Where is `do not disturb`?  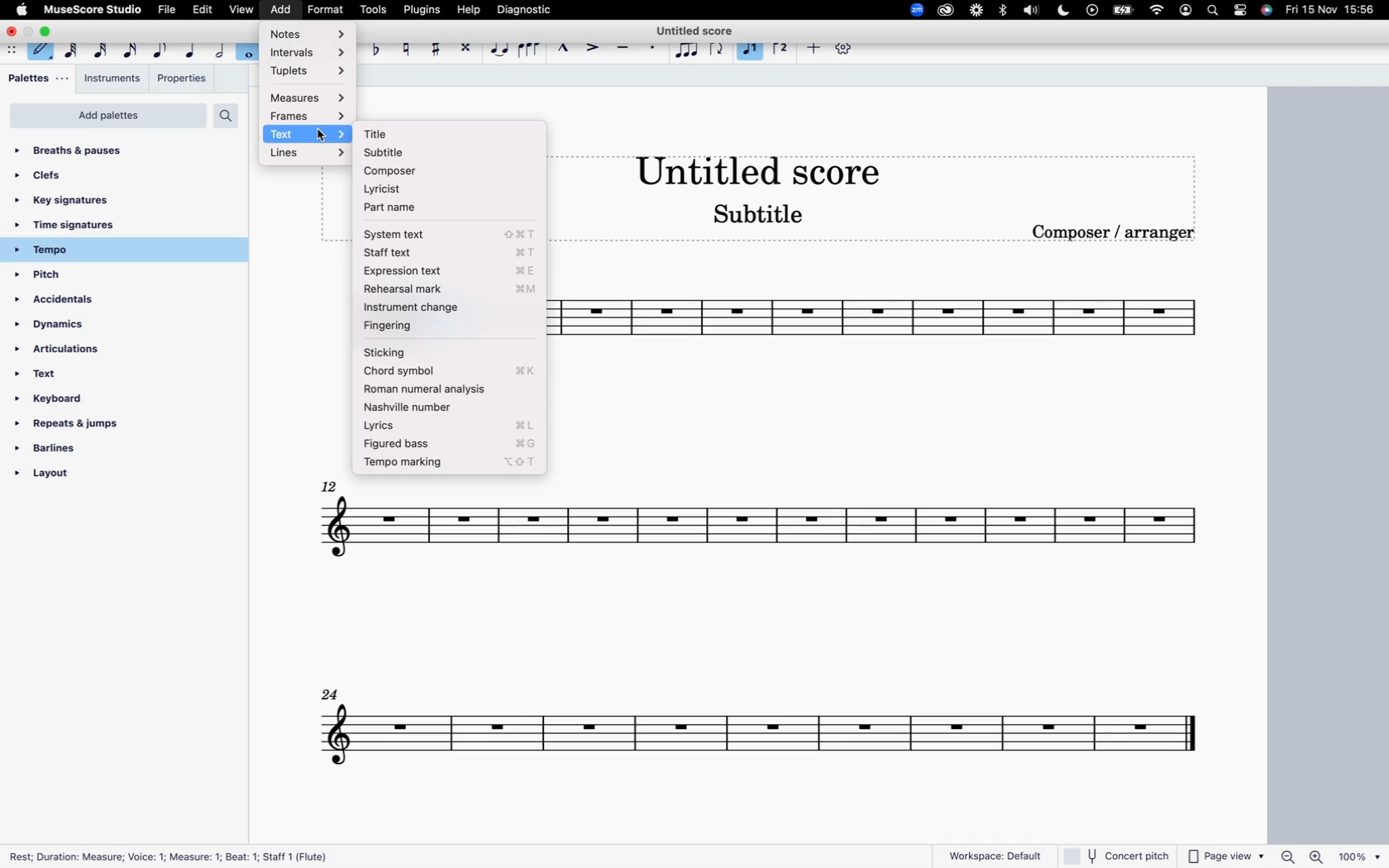 do not disturb is located at coordinates (1063, 10).